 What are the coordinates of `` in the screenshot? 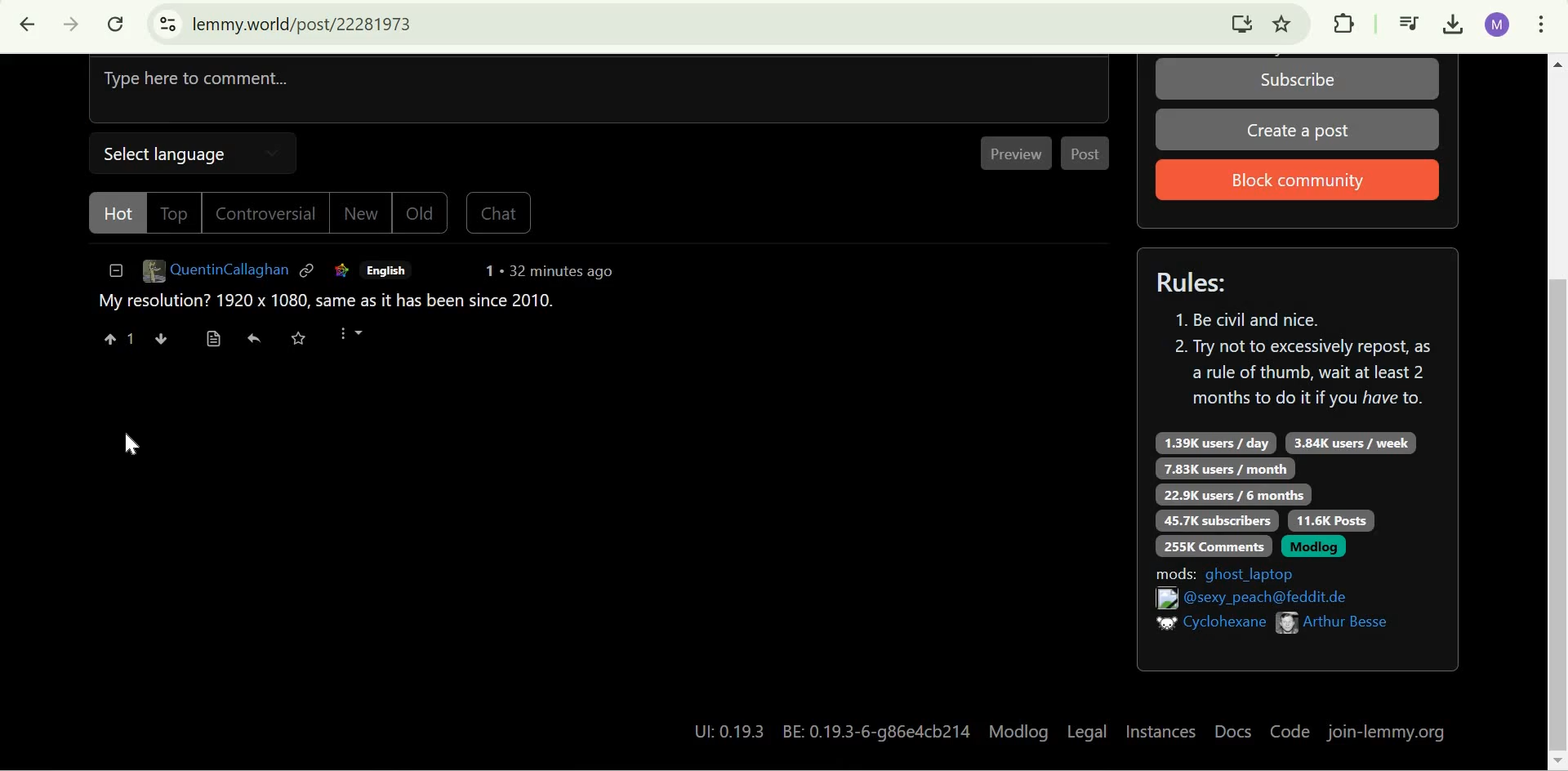 It's located at (1163, 598).